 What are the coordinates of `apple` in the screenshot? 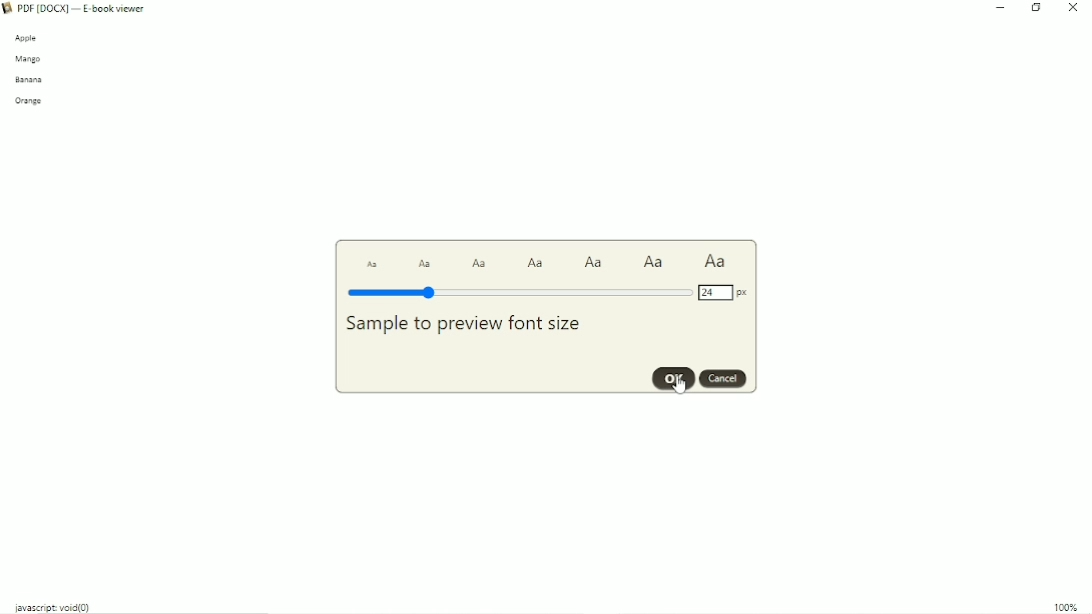 It's located at (26, 40).